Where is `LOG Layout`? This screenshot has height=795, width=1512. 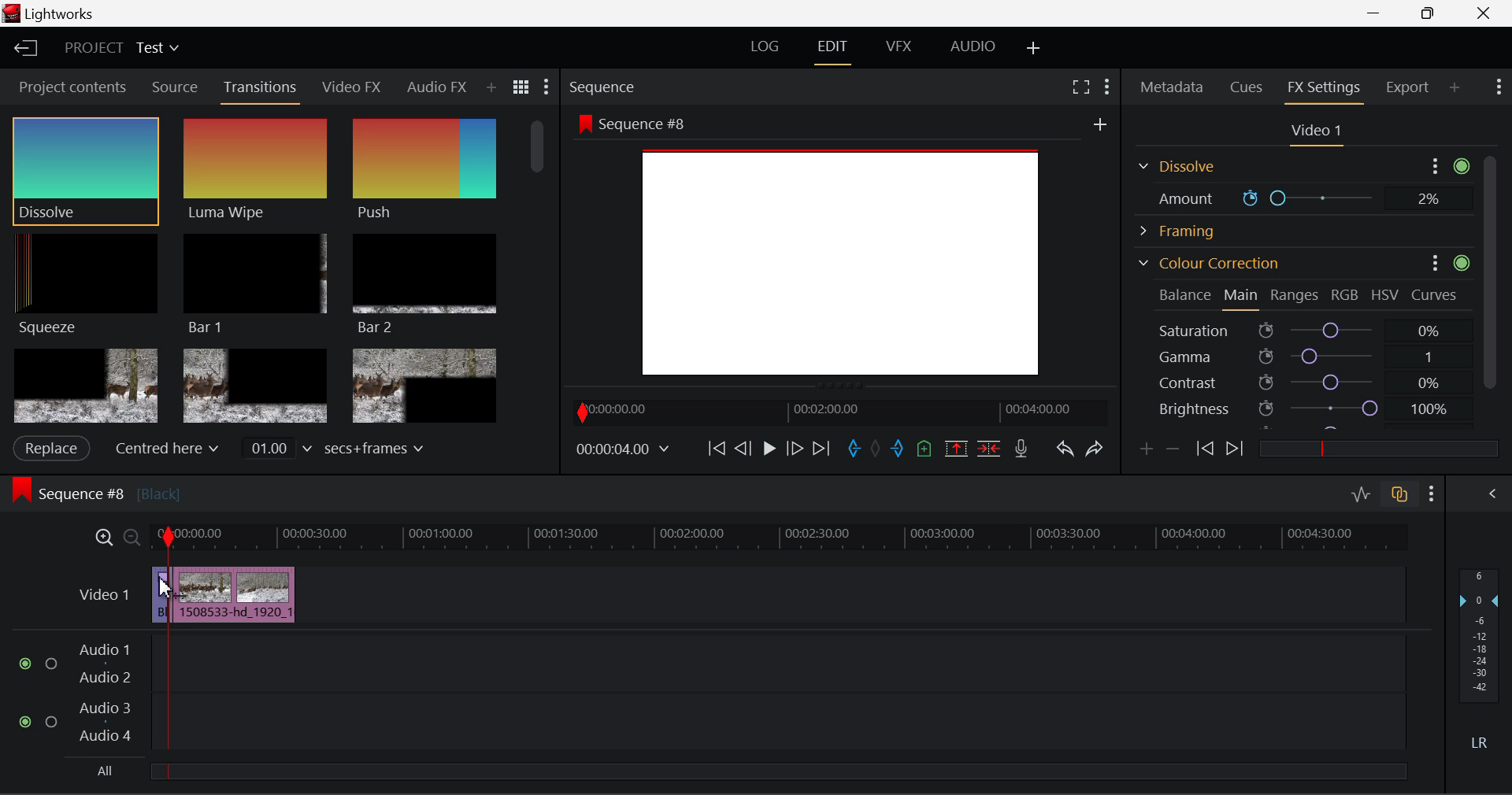
LOG Layout is located at coordinates (764, 46).